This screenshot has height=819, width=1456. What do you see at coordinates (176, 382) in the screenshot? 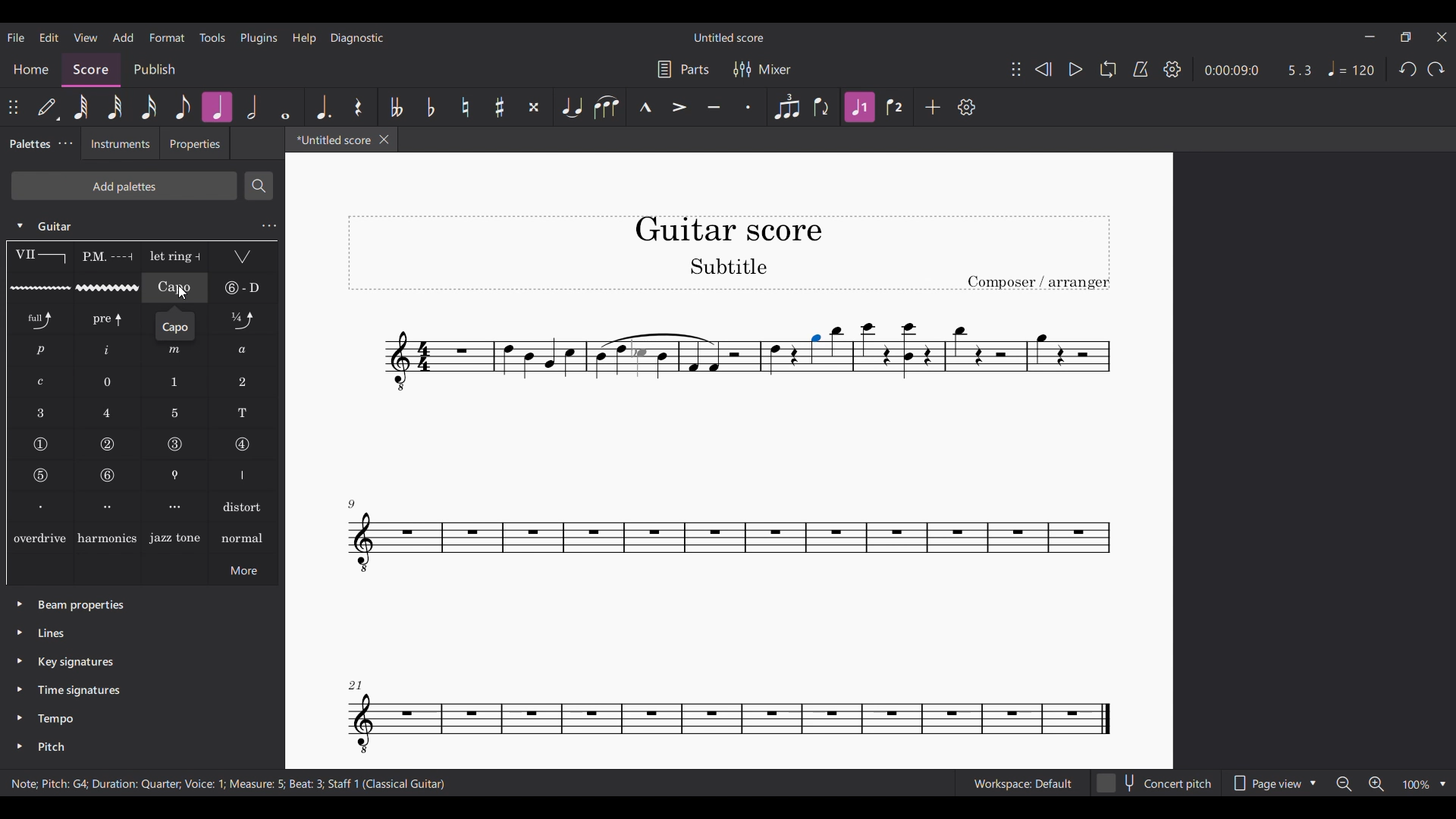
I see `LH guitar fingering 1` at bounding box center [176, 382].